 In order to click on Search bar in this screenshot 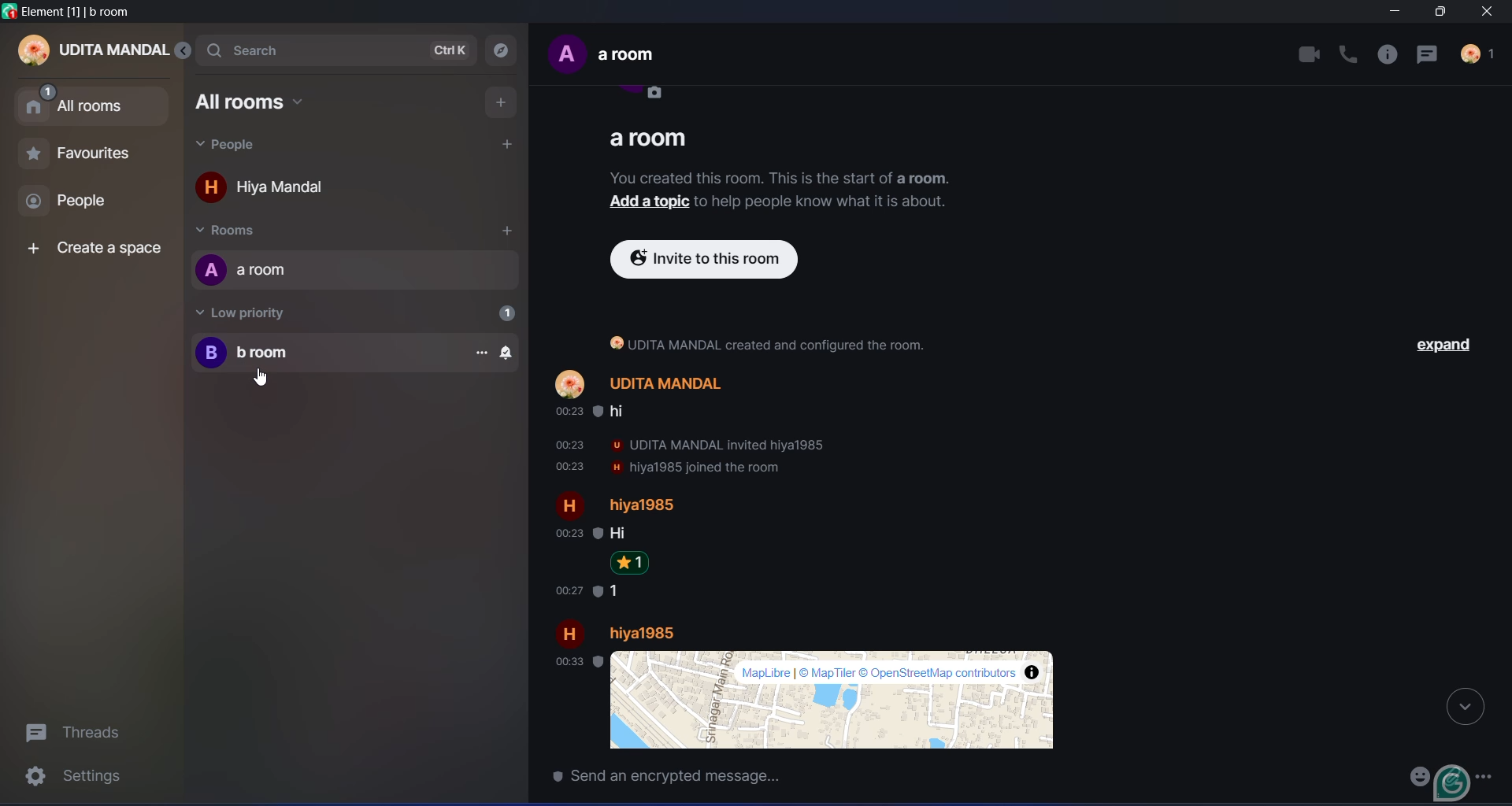, I will do `click(266, 49)`.